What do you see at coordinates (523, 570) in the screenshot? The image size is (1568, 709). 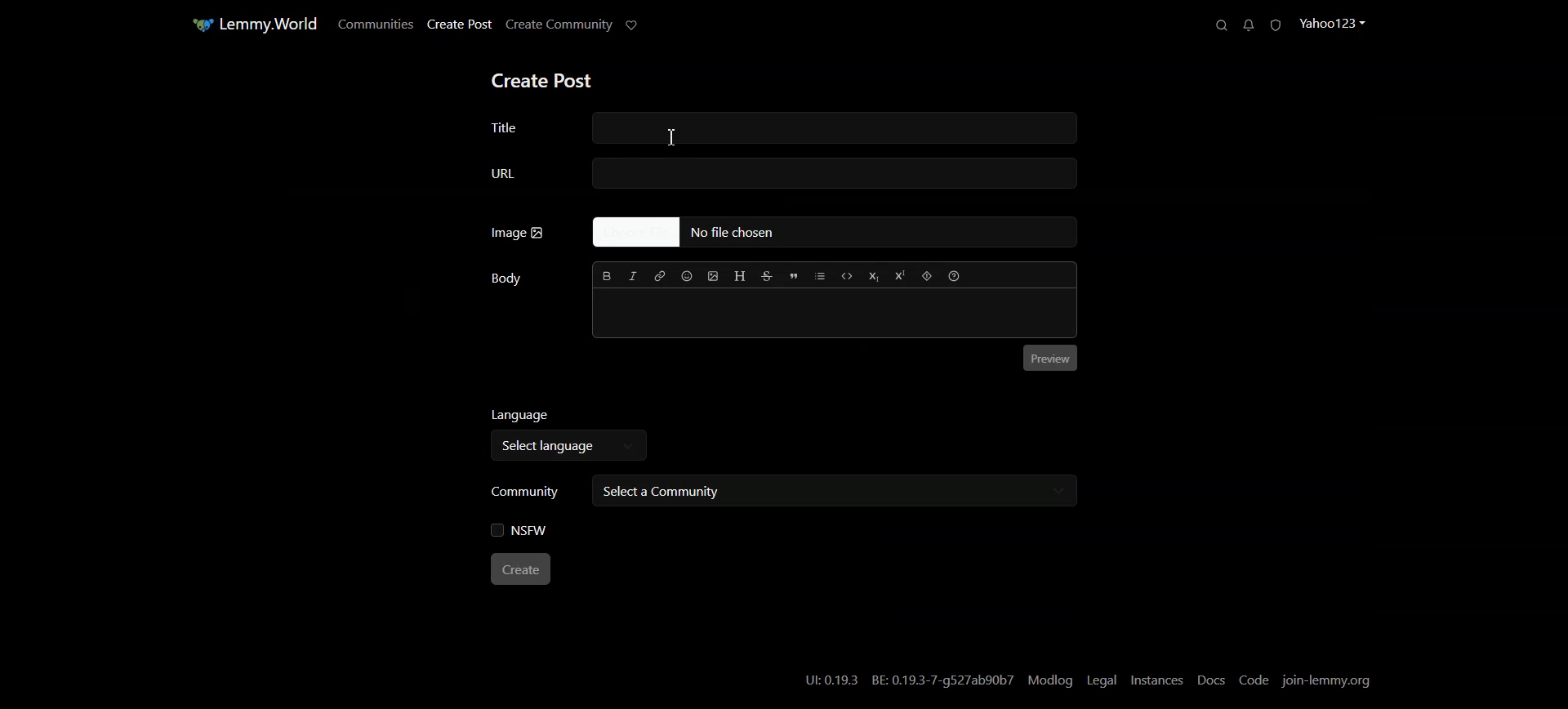 I see `Create` at bounding box center [523, 570].